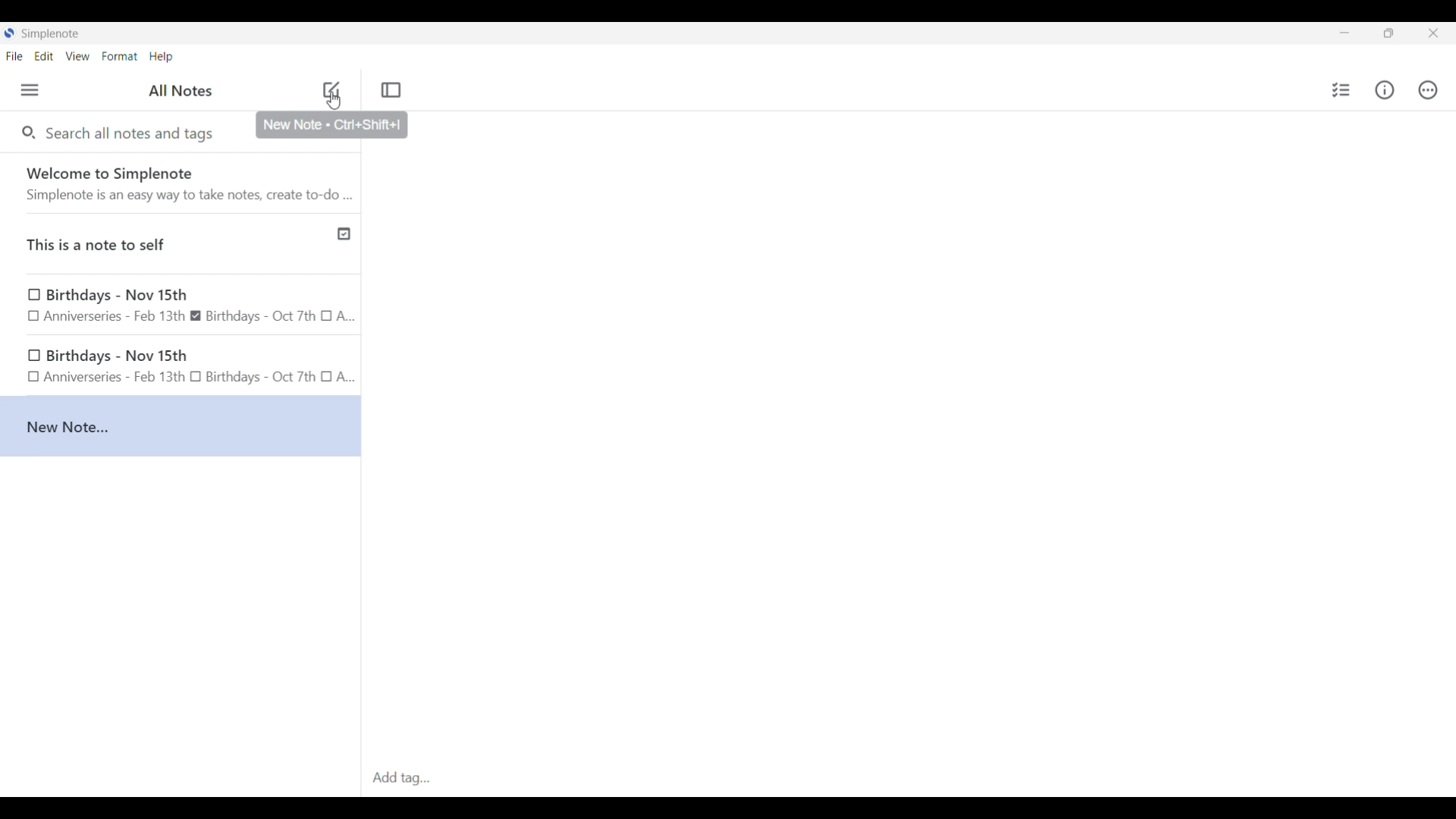 The image size is (1456, 819). What do you see at coordinates (52, 34) in the screenshot?
I see `Software name` at bounding box center [52, 34].